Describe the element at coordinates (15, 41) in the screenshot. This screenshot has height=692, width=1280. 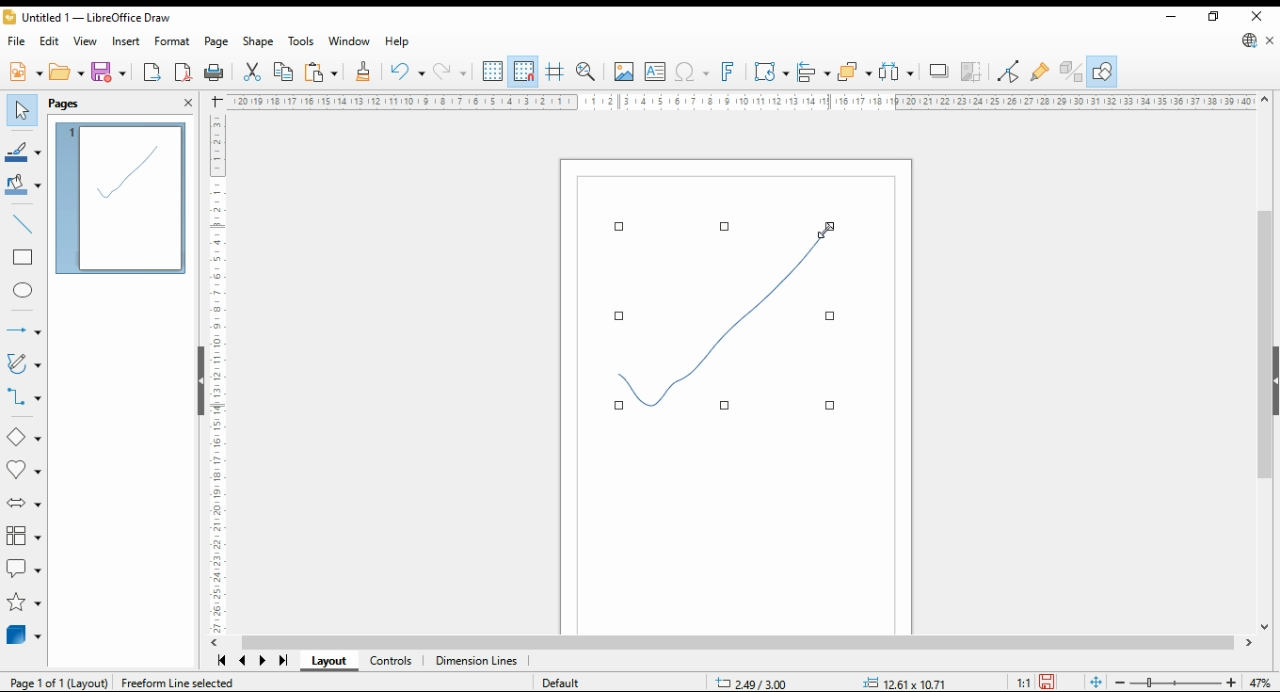
I see `file` at that location.